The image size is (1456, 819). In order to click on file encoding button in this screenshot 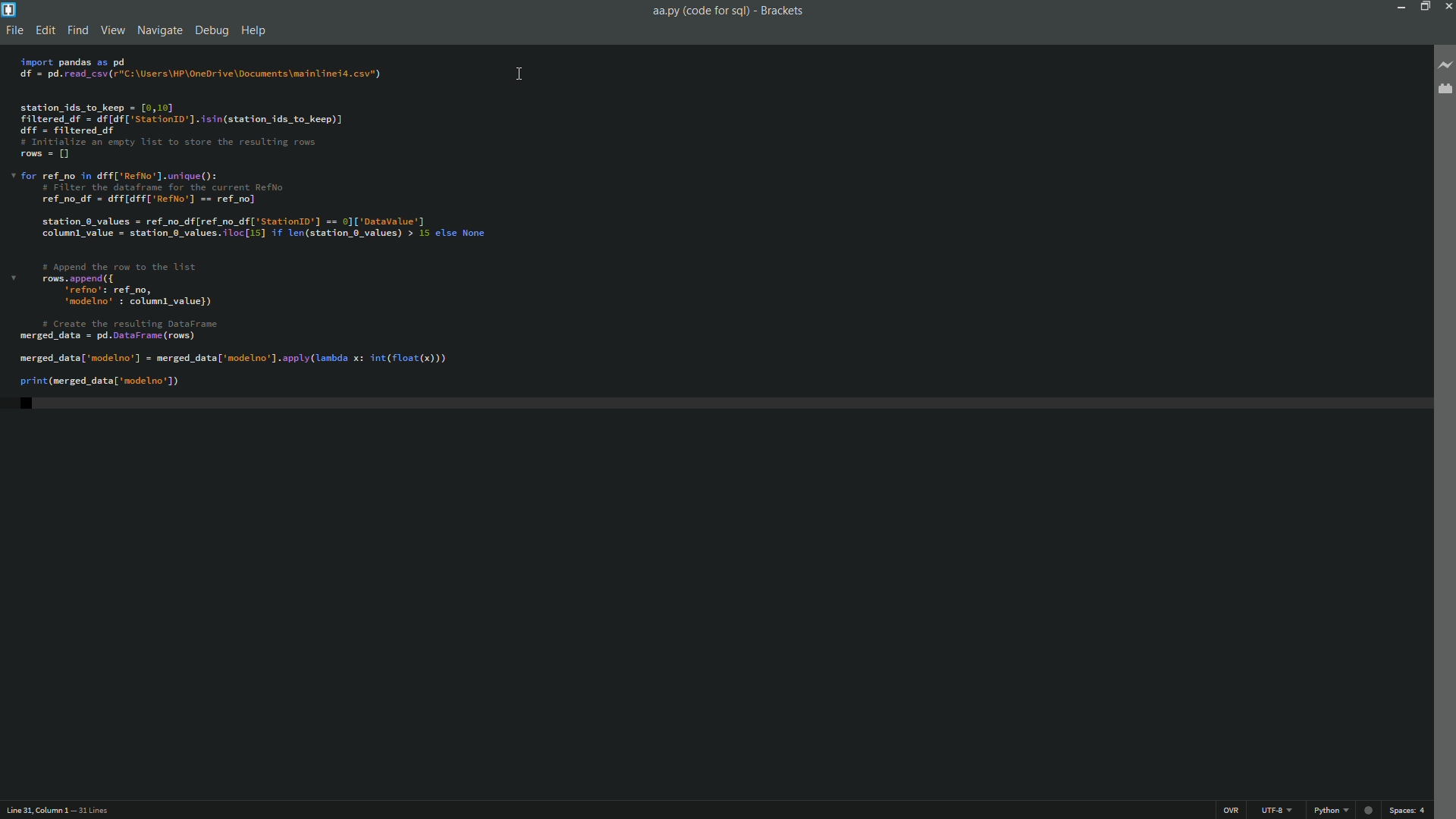, I will do `click(1278, 811)`.